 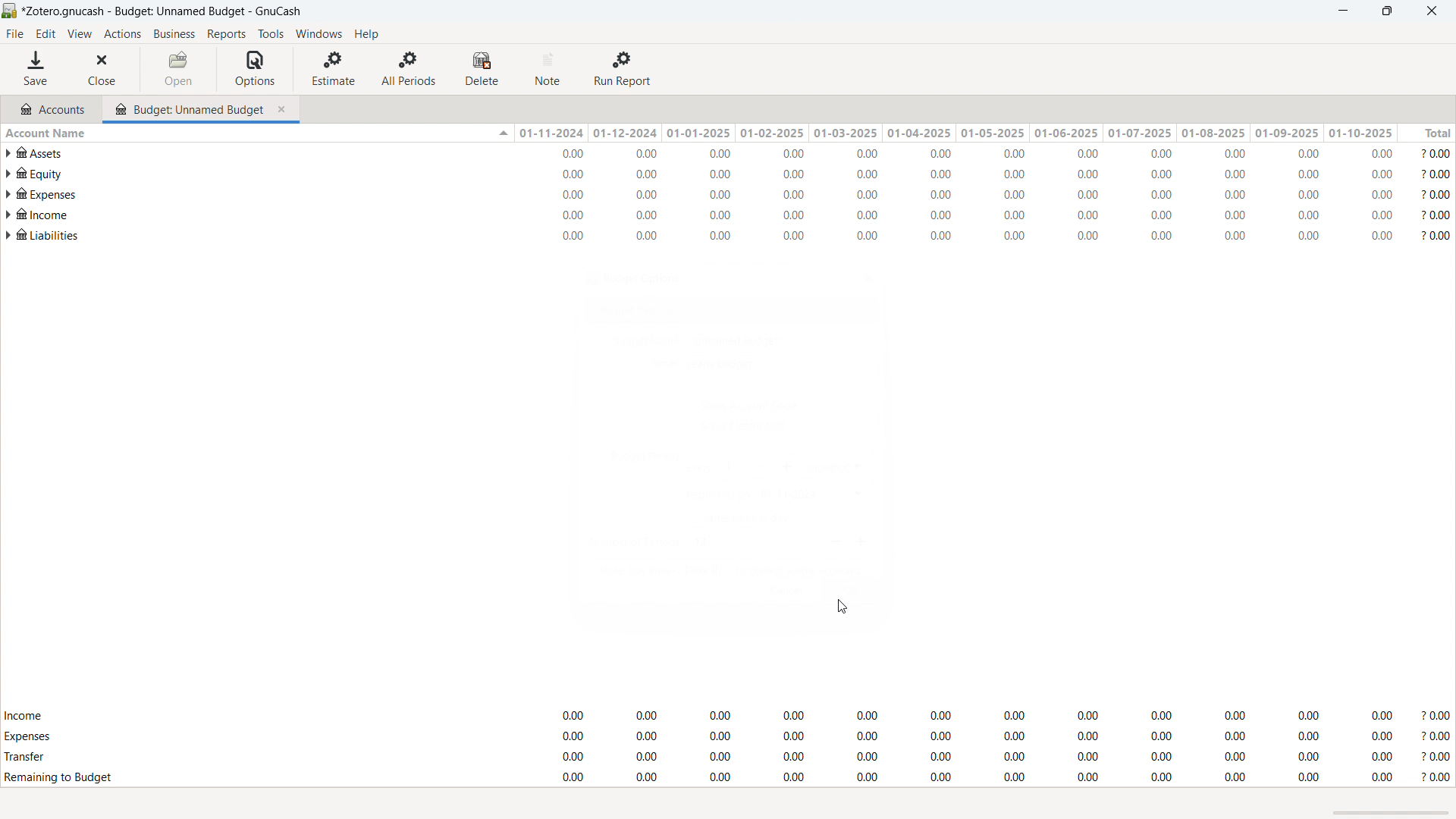 What do you see at coordinates (37, 69) in the screenshot?
I see `save` at bounding box center [37, 69].